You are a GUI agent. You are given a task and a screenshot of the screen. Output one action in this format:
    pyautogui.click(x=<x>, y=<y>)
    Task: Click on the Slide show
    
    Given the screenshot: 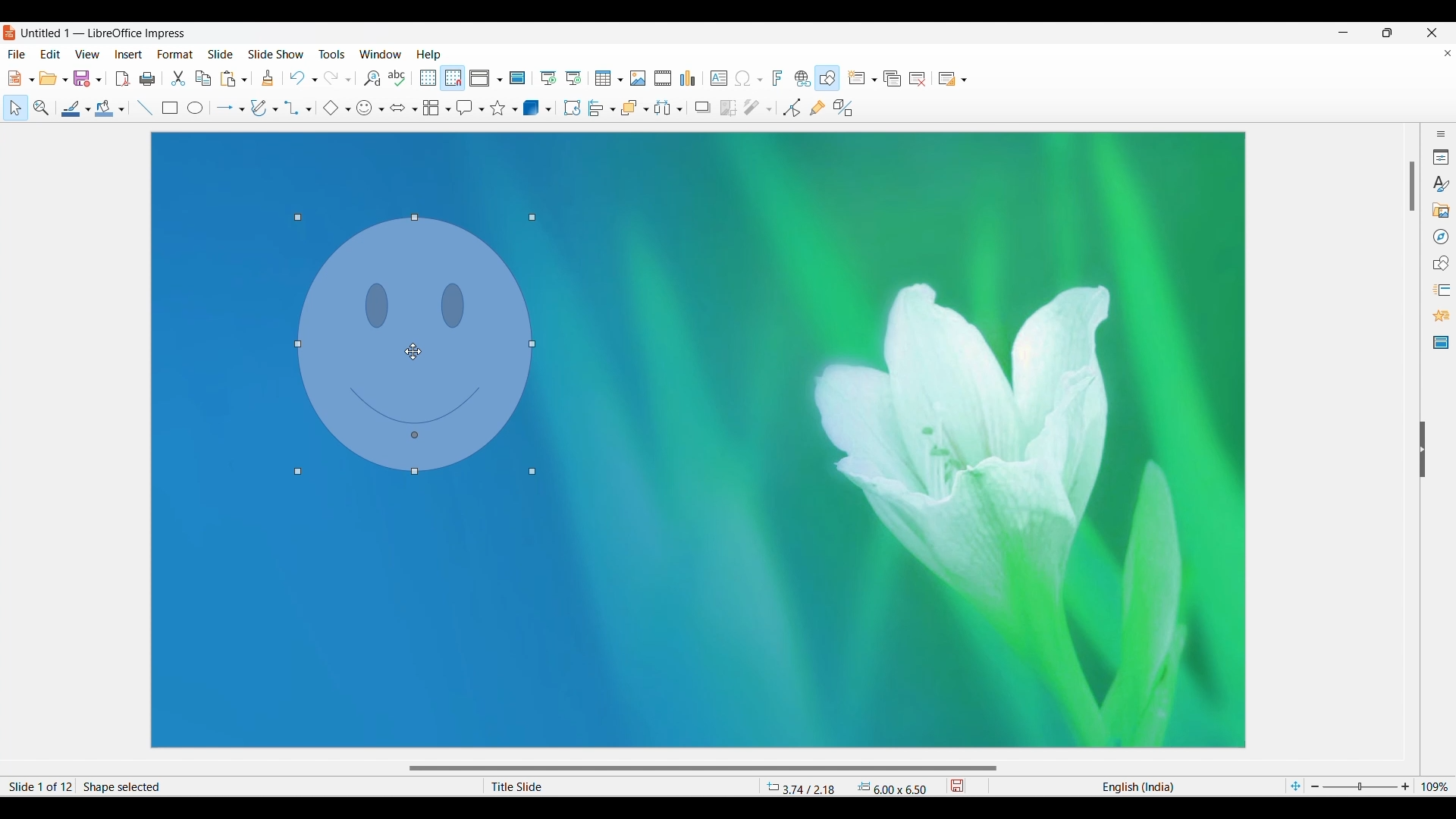 What is the action you would take?
    pyautogui.click(x=275, y=53)
    